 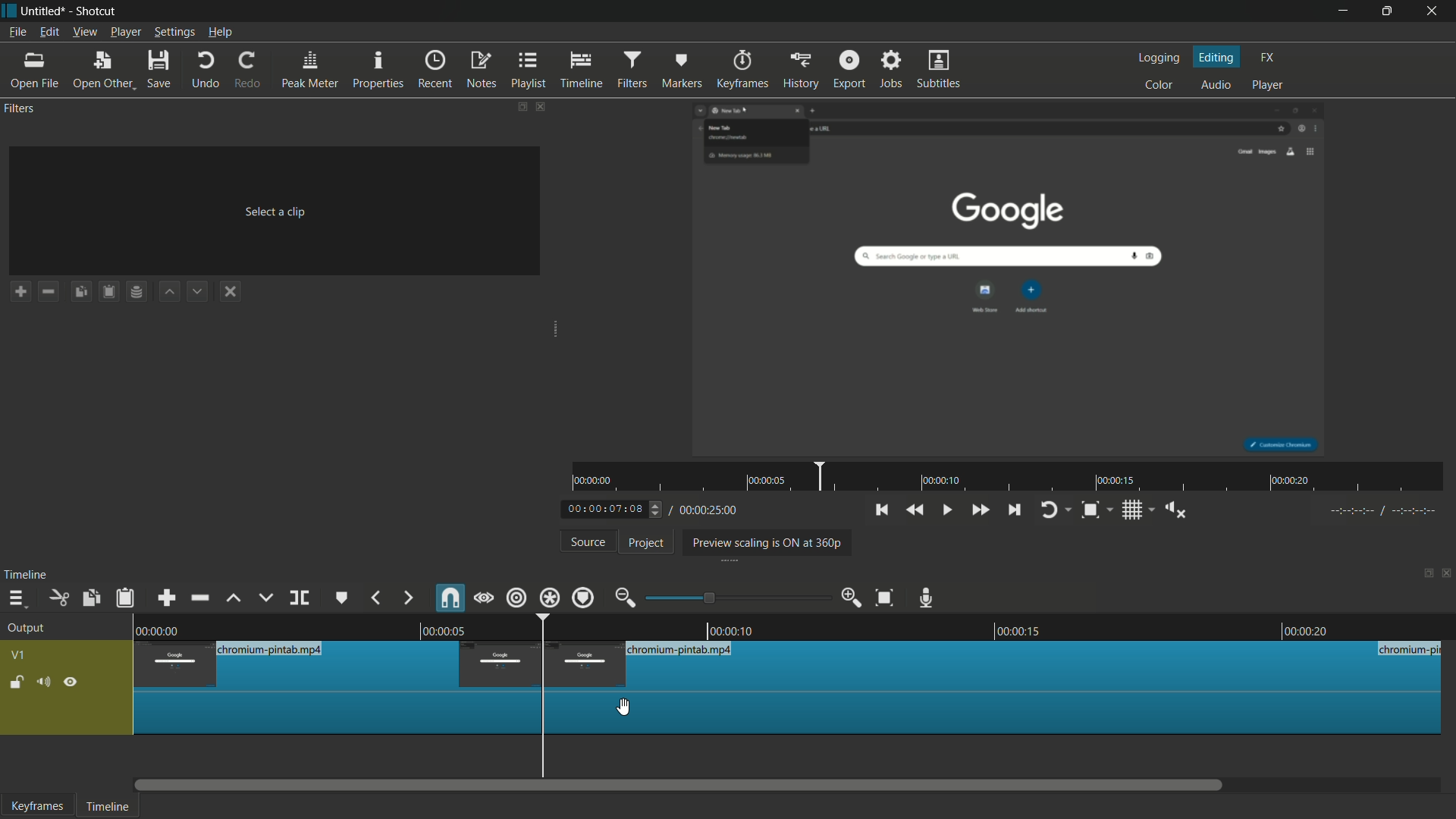 I want to click on split at playhead, so click(x=300, y=598).